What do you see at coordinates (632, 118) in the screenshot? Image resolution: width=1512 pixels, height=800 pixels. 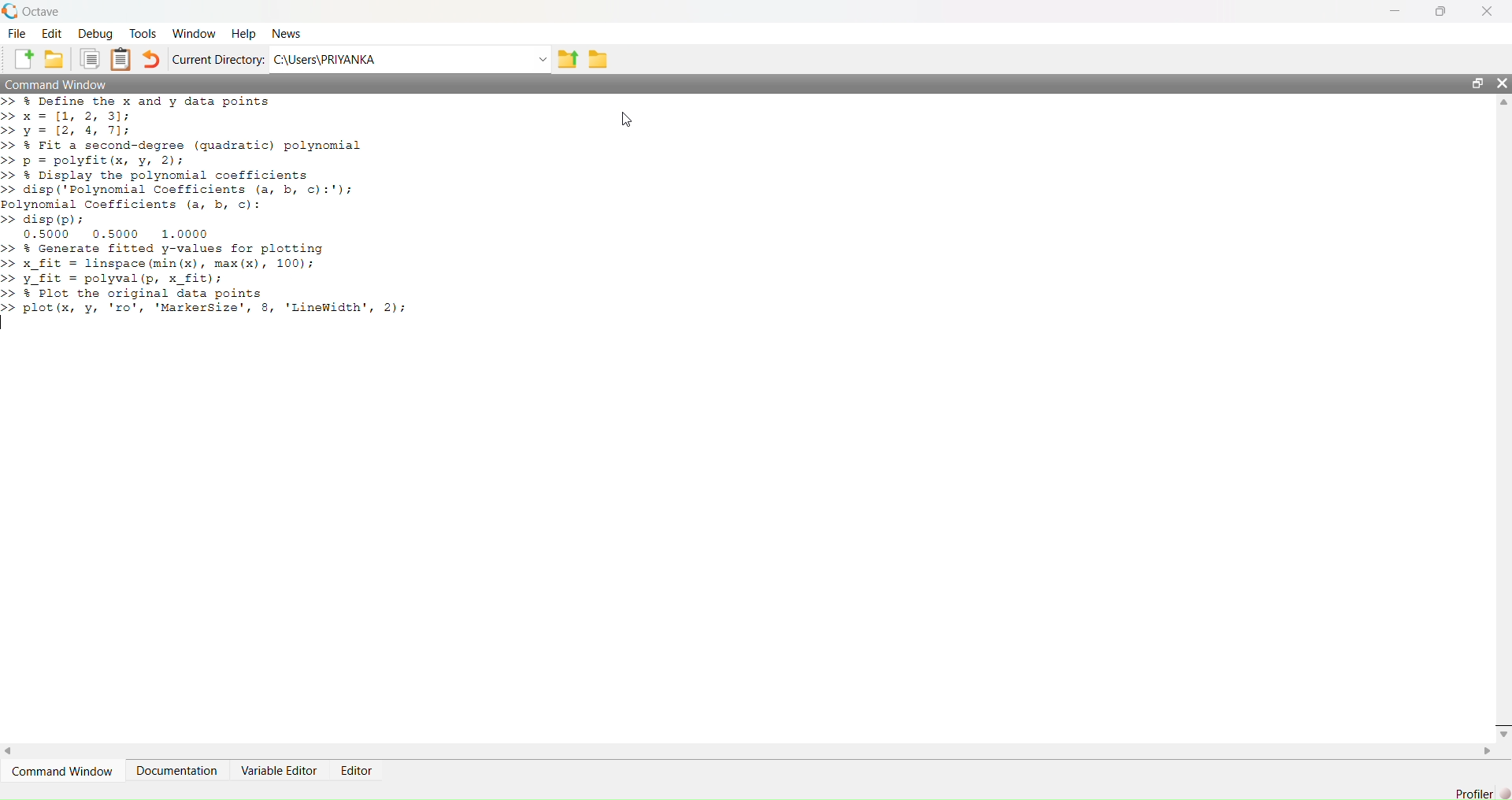 I see `Cursor` at bounding box center [632, 118].